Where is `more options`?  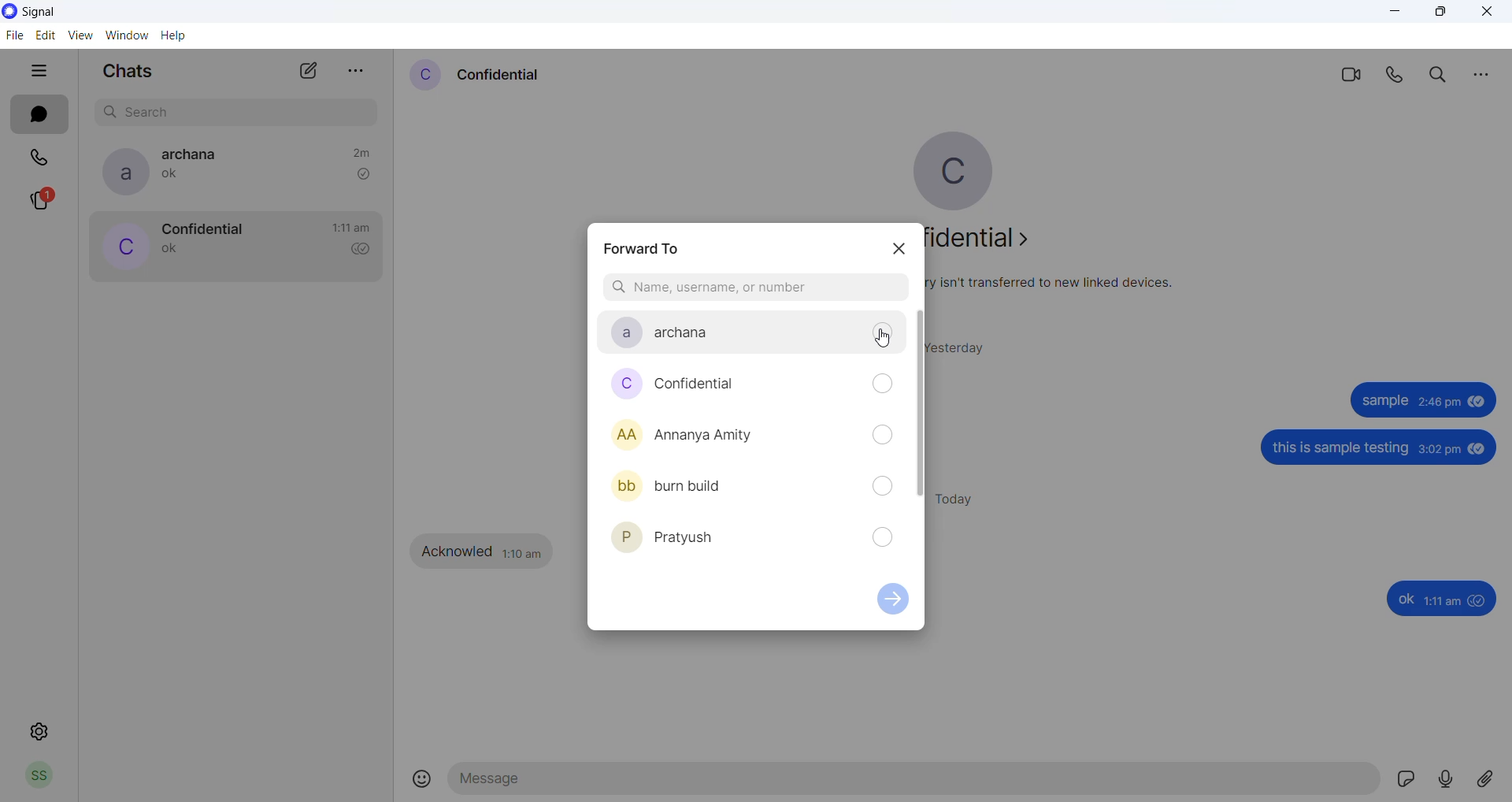 more options is located at coordinates (1480, 73).